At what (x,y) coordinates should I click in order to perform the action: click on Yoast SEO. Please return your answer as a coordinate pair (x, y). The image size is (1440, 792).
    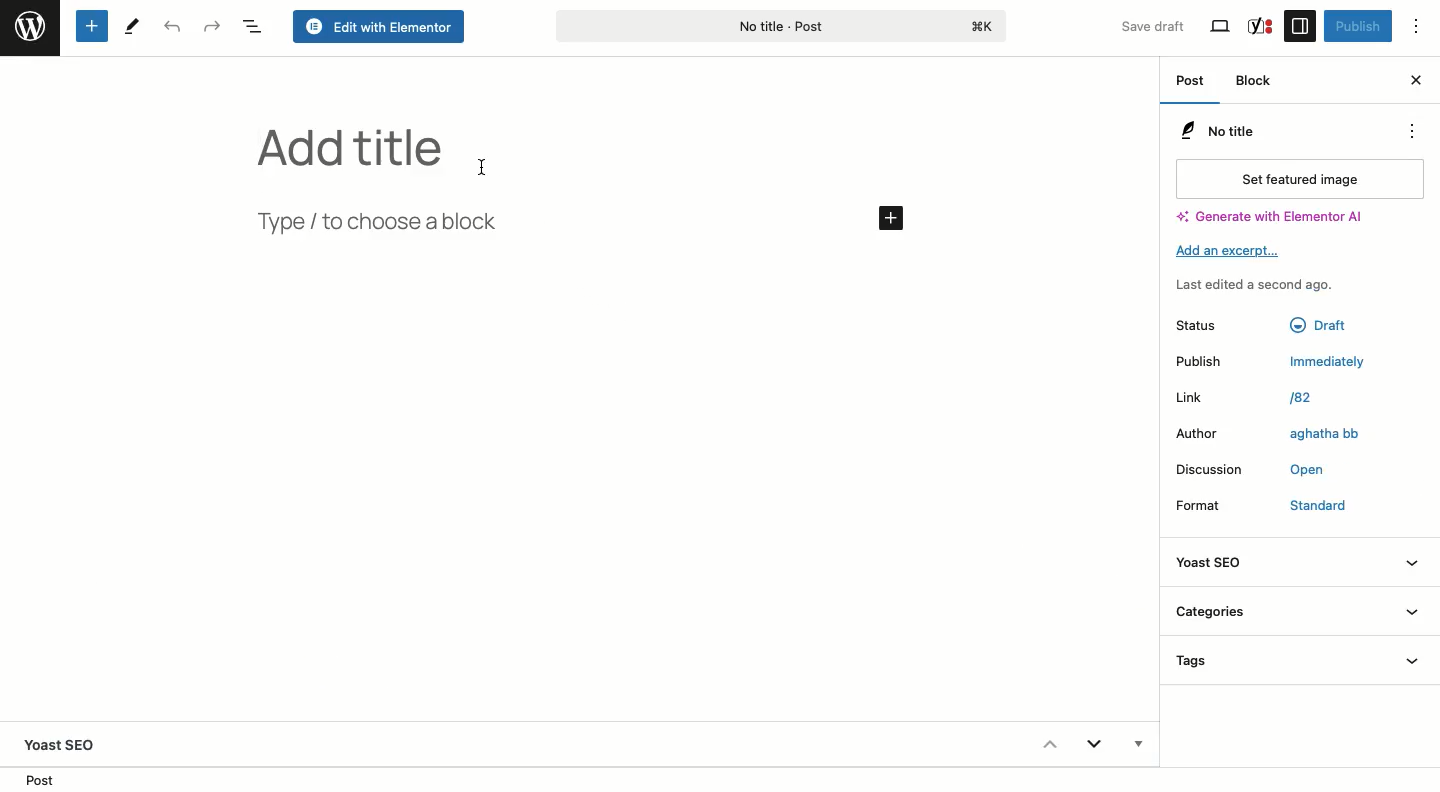
    Looking at the image, I should click on (69, 744).